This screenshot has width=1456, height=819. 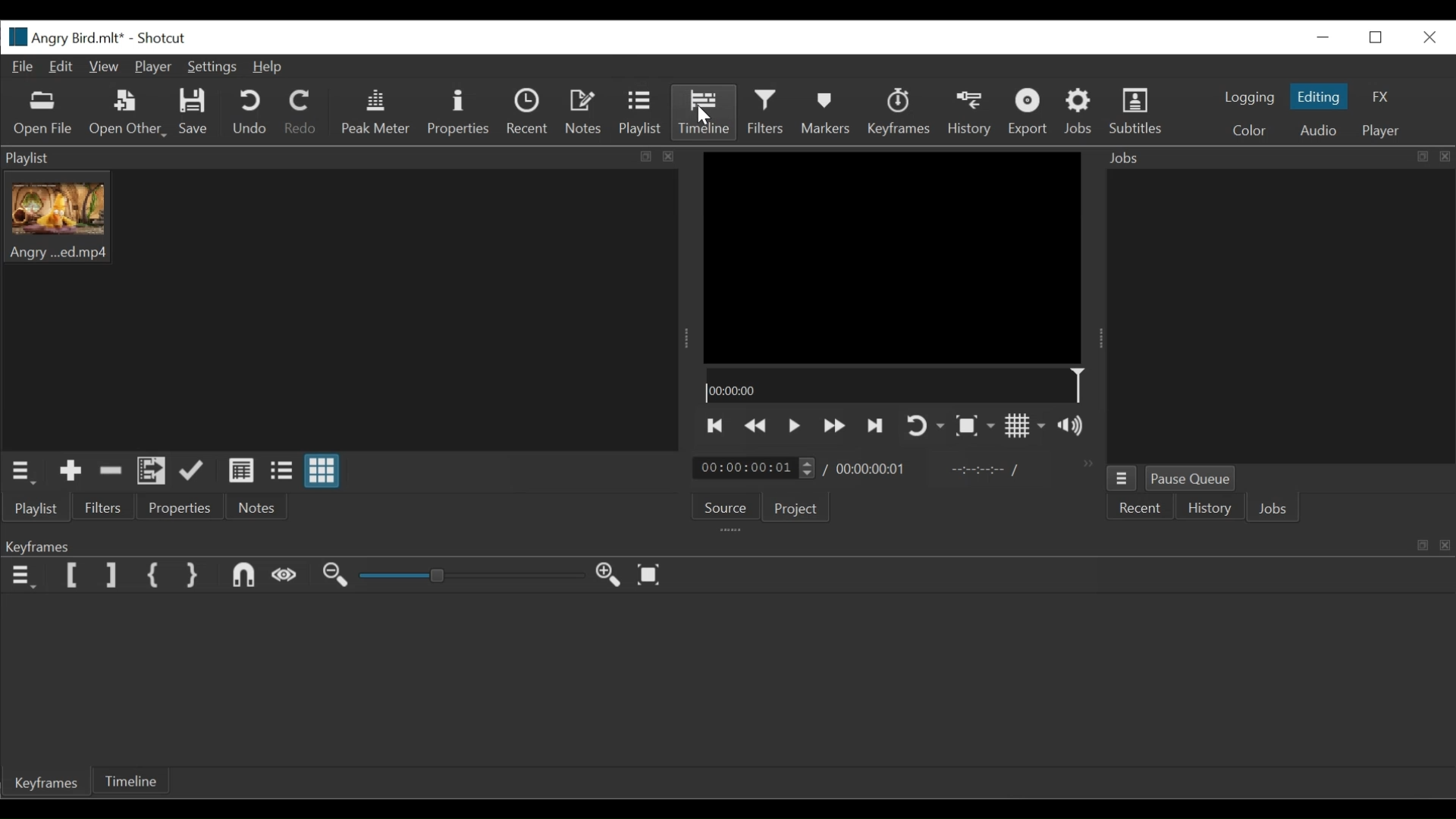 I want to click on Current duration, so click(x=755, y=469).